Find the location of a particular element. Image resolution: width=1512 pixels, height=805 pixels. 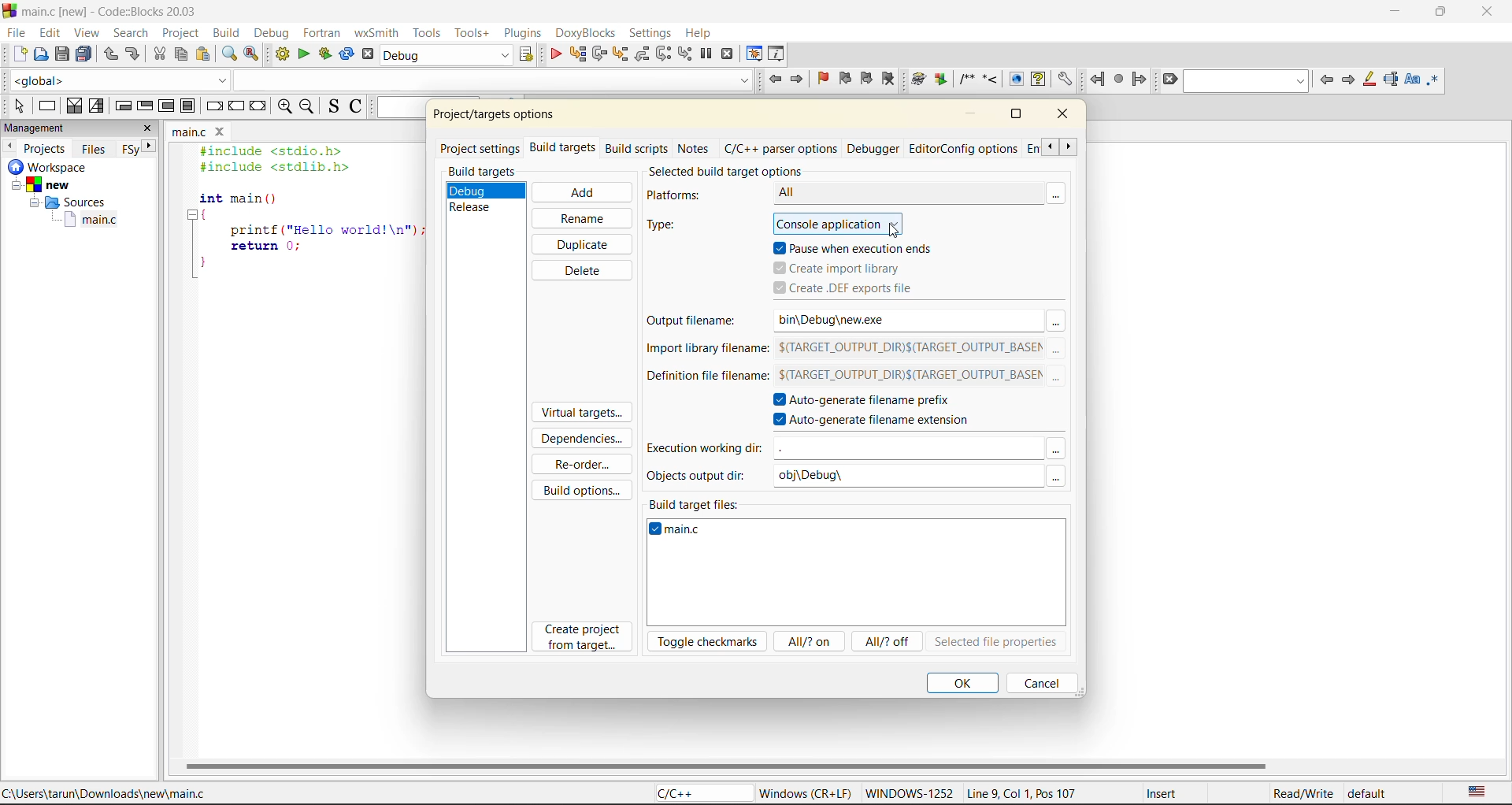

autogenerate filename extension is located at coordinates (869, 423).